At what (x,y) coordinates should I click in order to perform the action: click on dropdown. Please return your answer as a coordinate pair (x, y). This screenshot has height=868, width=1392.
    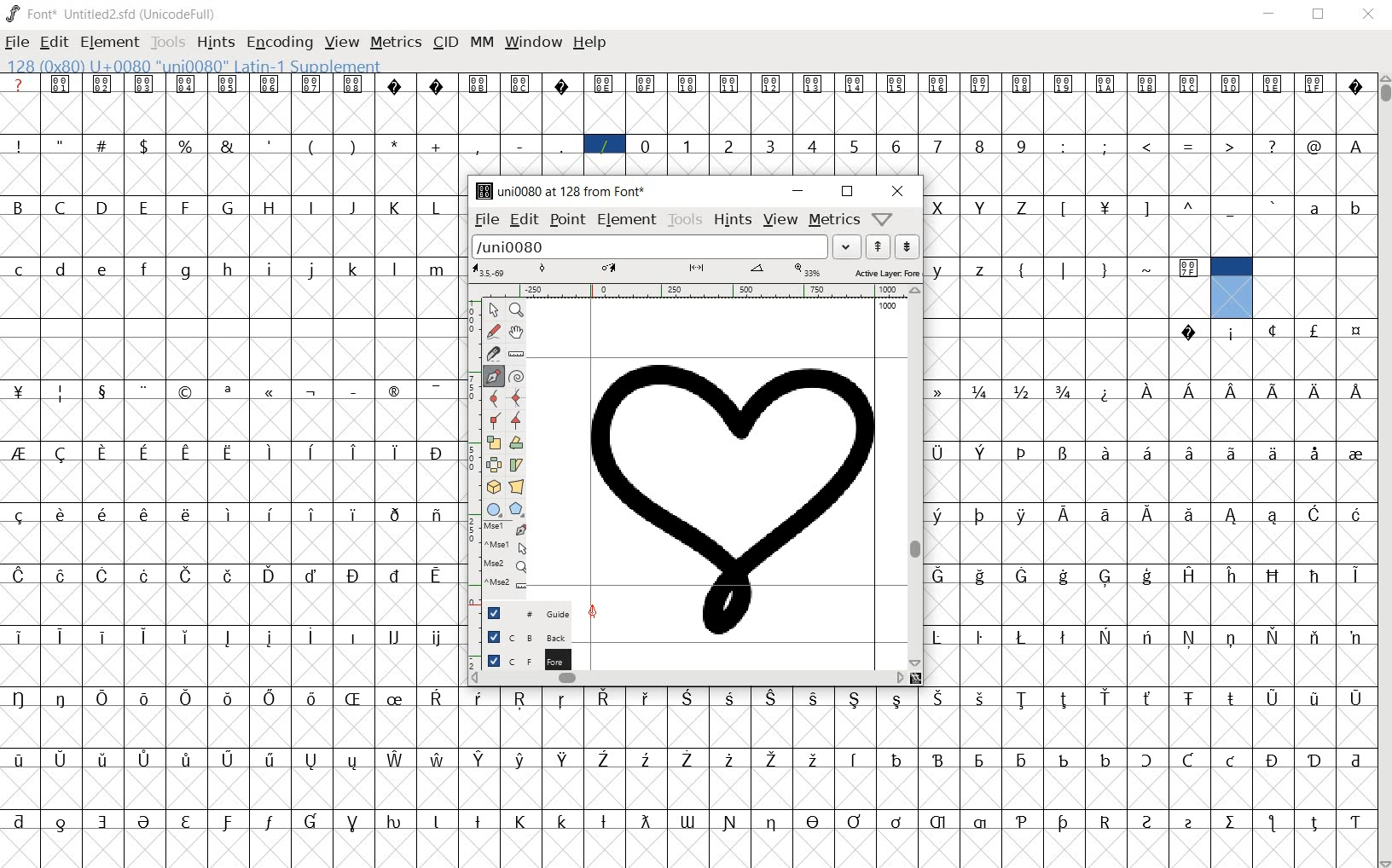
    Looking at the image, I should click on (847, 247).